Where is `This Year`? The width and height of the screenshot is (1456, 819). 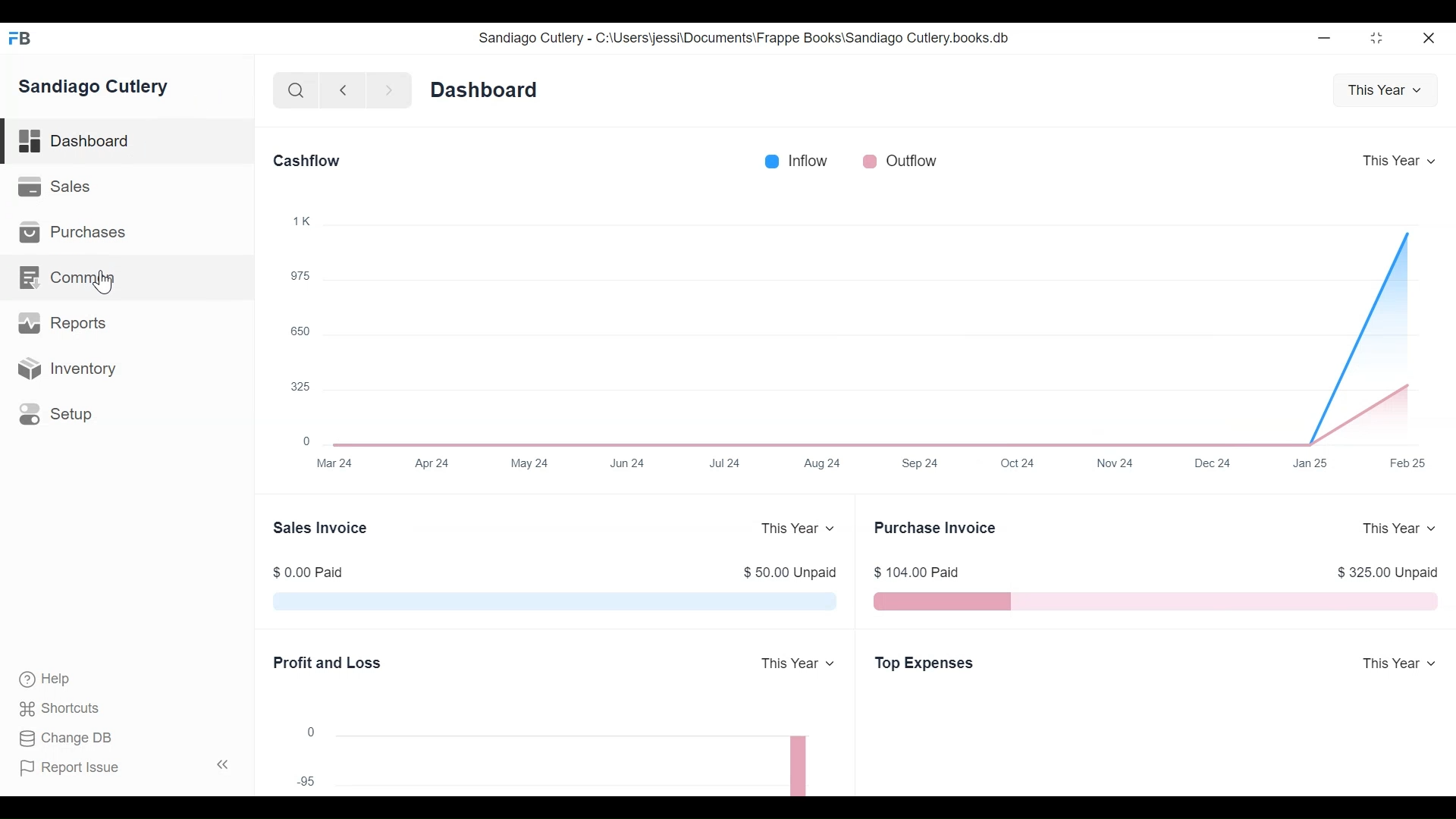 This Year is located at coordinates (796, 664).